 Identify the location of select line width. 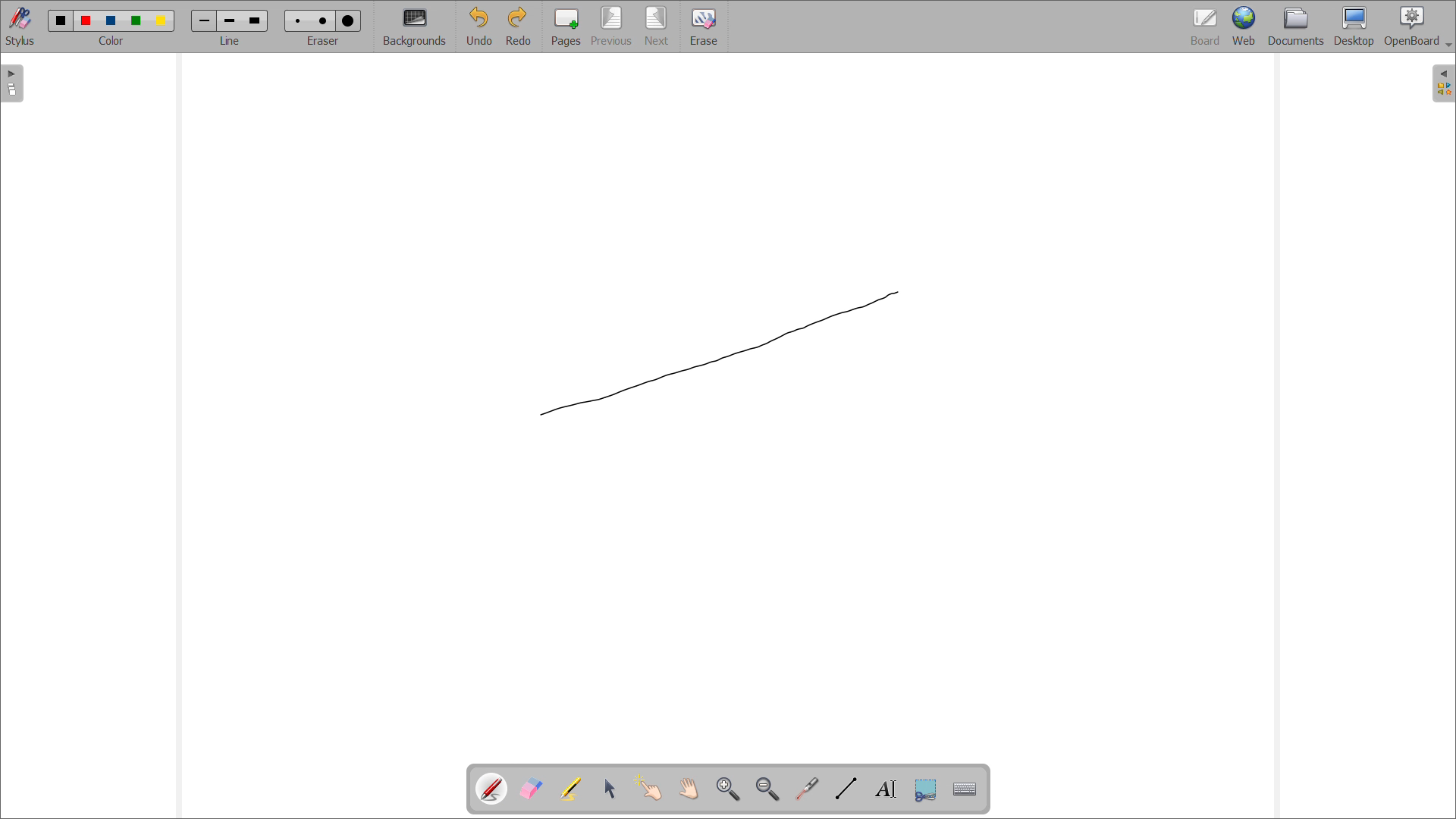
(230, 42).